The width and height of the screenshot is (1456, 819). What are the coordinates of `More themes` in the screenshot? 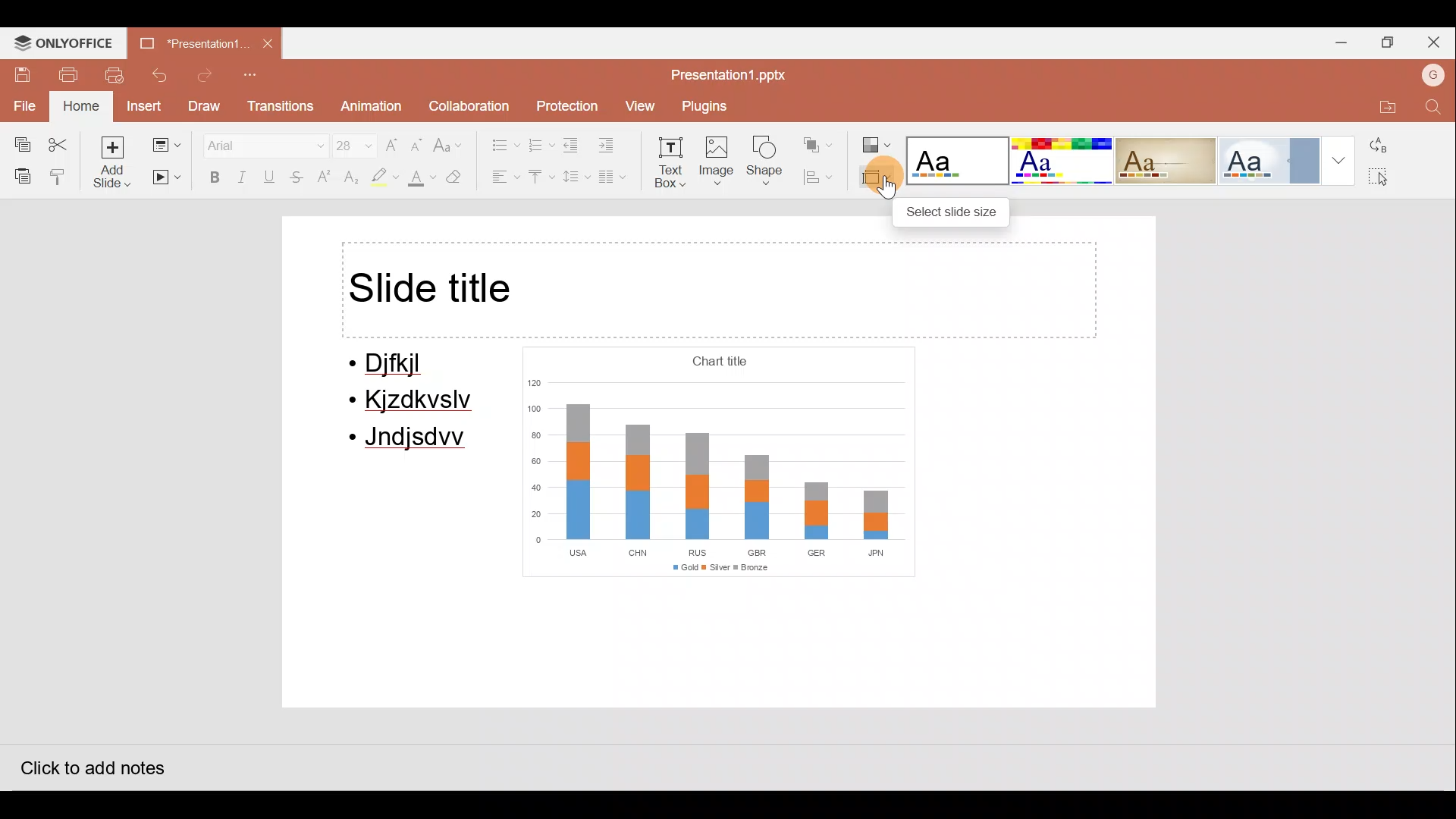 It's located at (1342, 158).